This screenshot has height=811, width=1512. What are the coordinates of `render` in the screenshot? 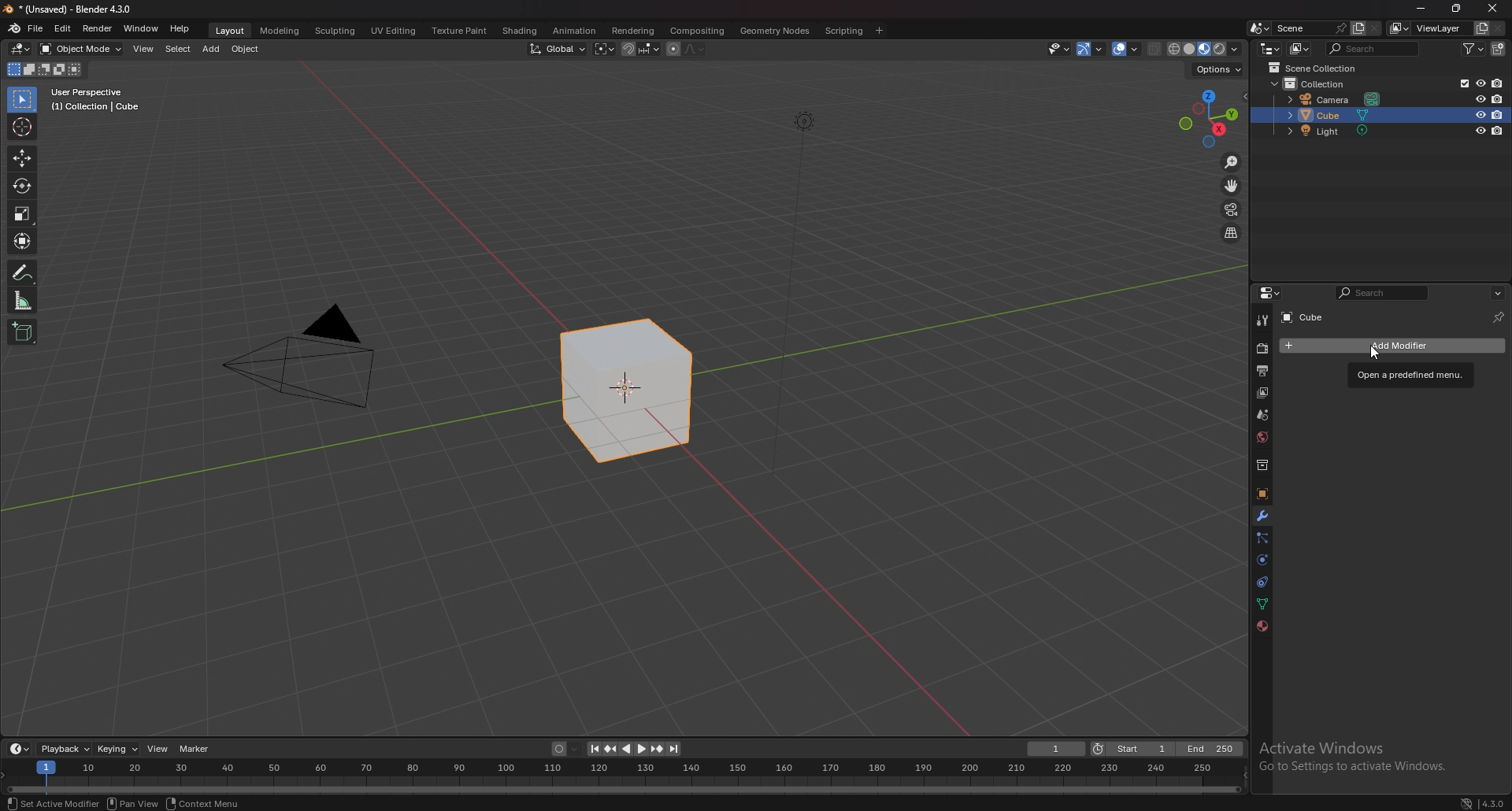 It's located at (1260, 349).